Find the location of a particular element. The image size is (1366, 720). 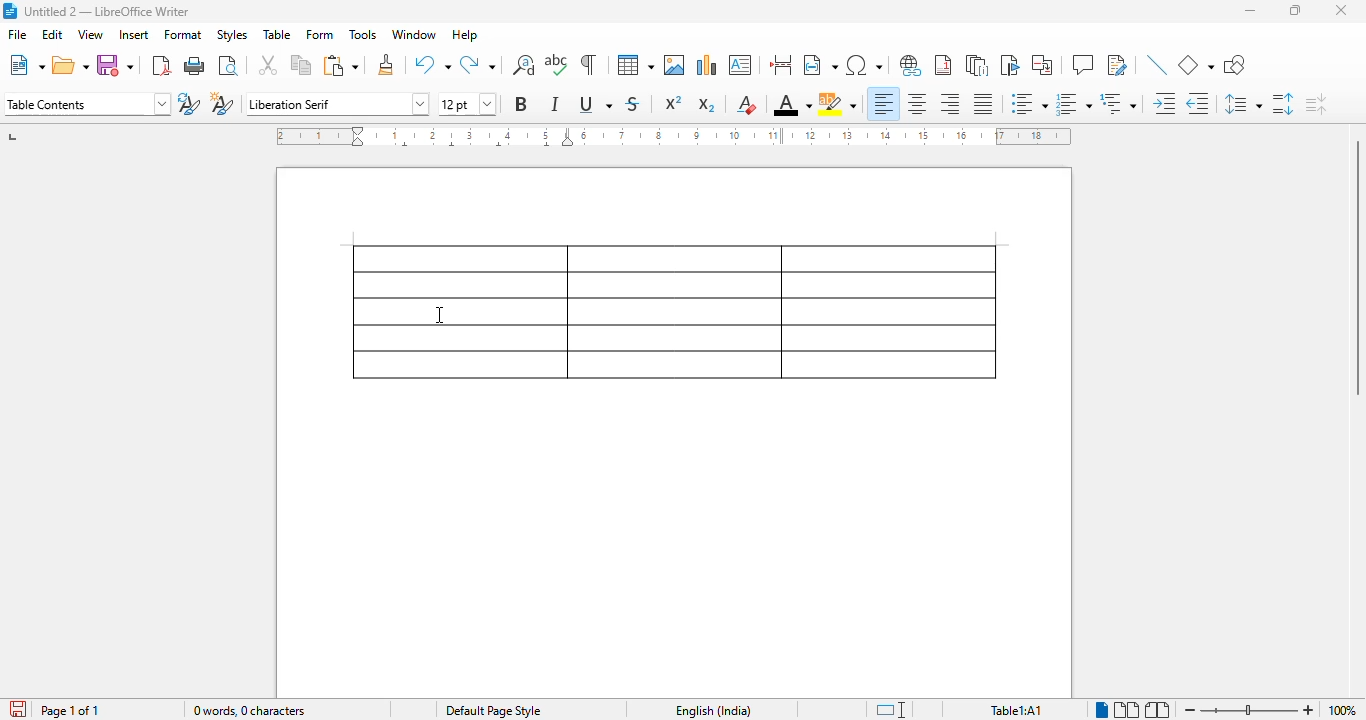

align right is located at coordinates (949, 104).